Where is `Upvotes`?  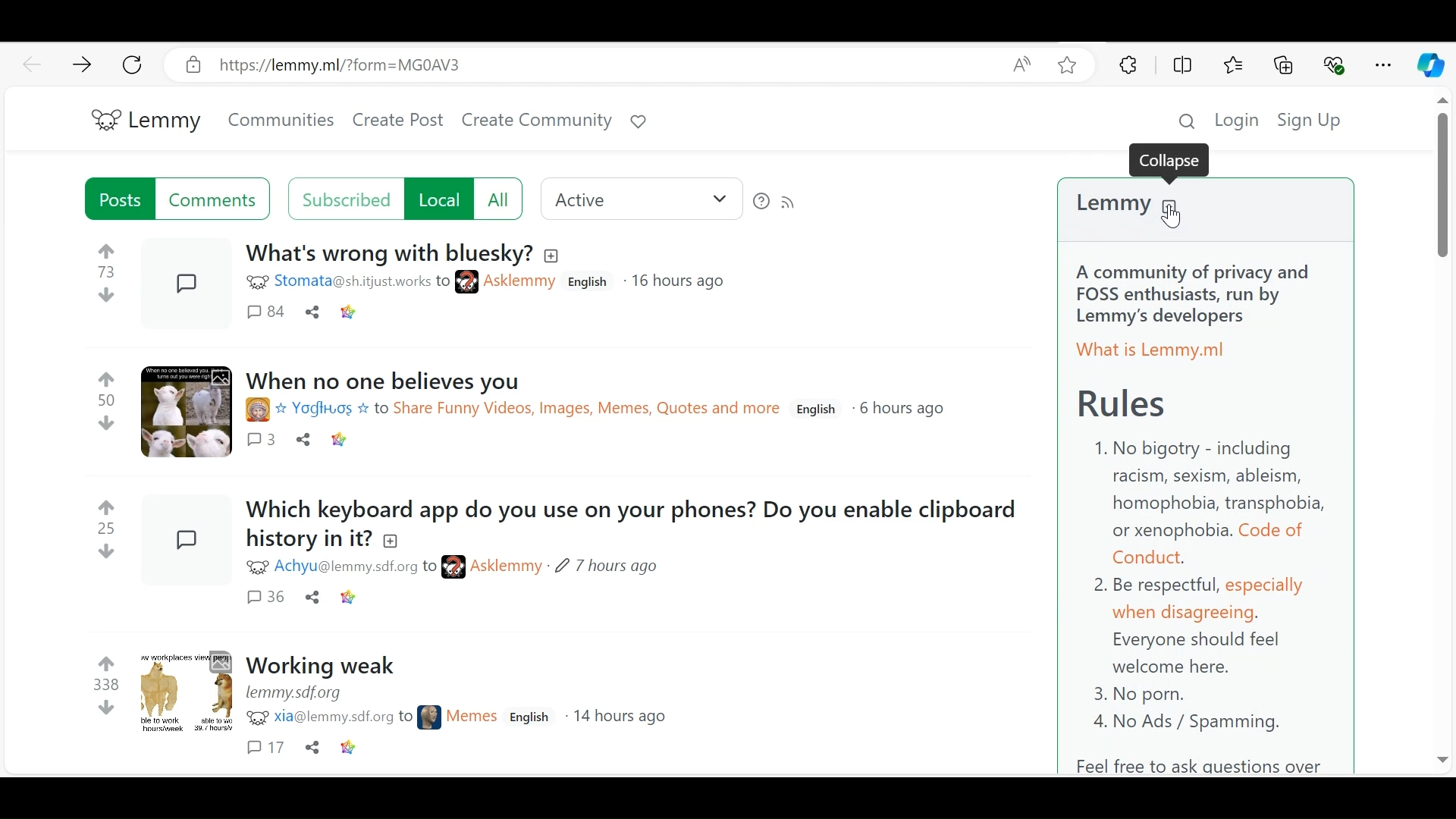
Upvotes is located at coordinates (110, 249).